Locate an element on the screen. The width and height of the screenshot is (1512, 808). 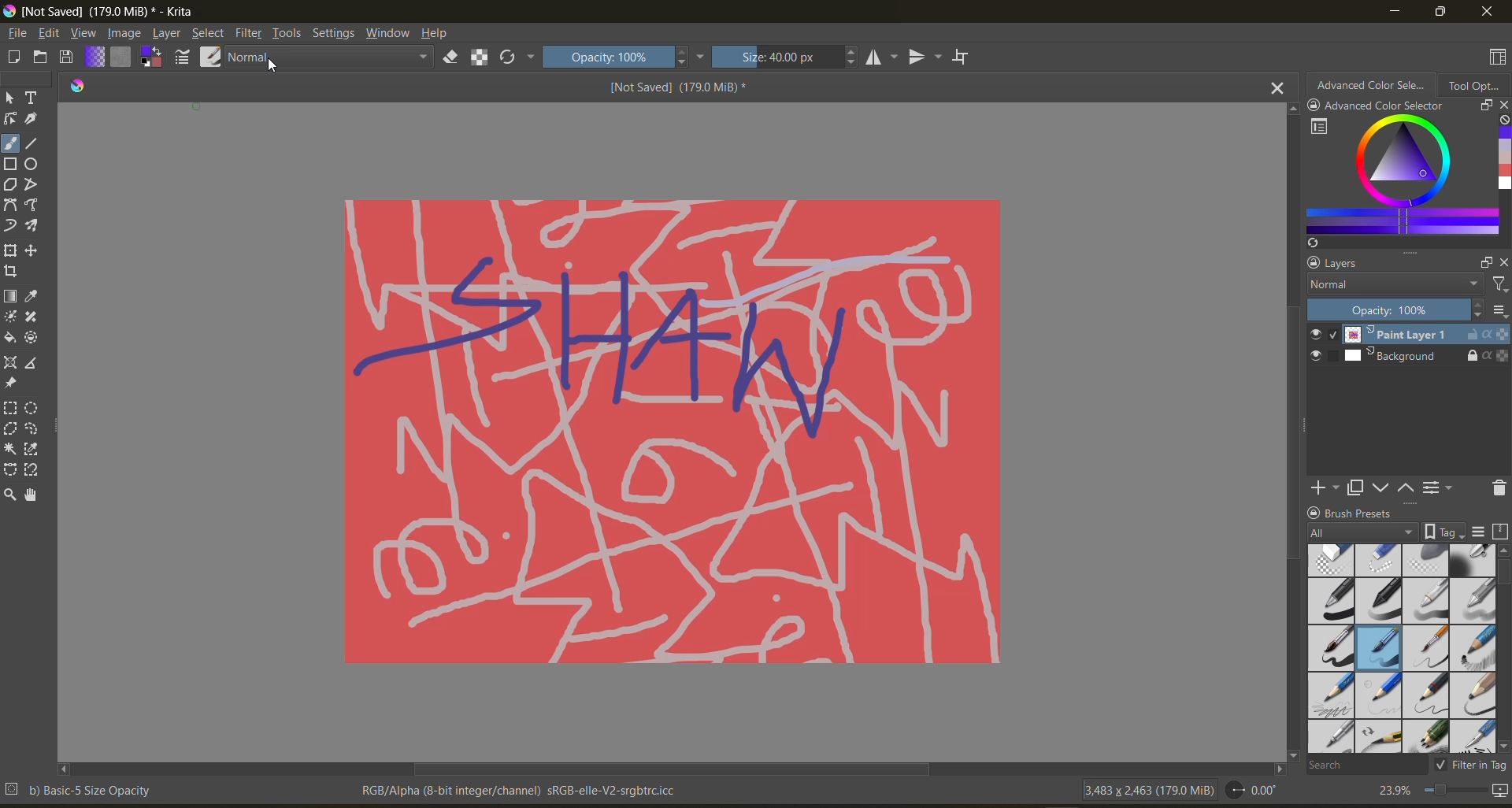
fill pattern is located at coordinates (122, 55).